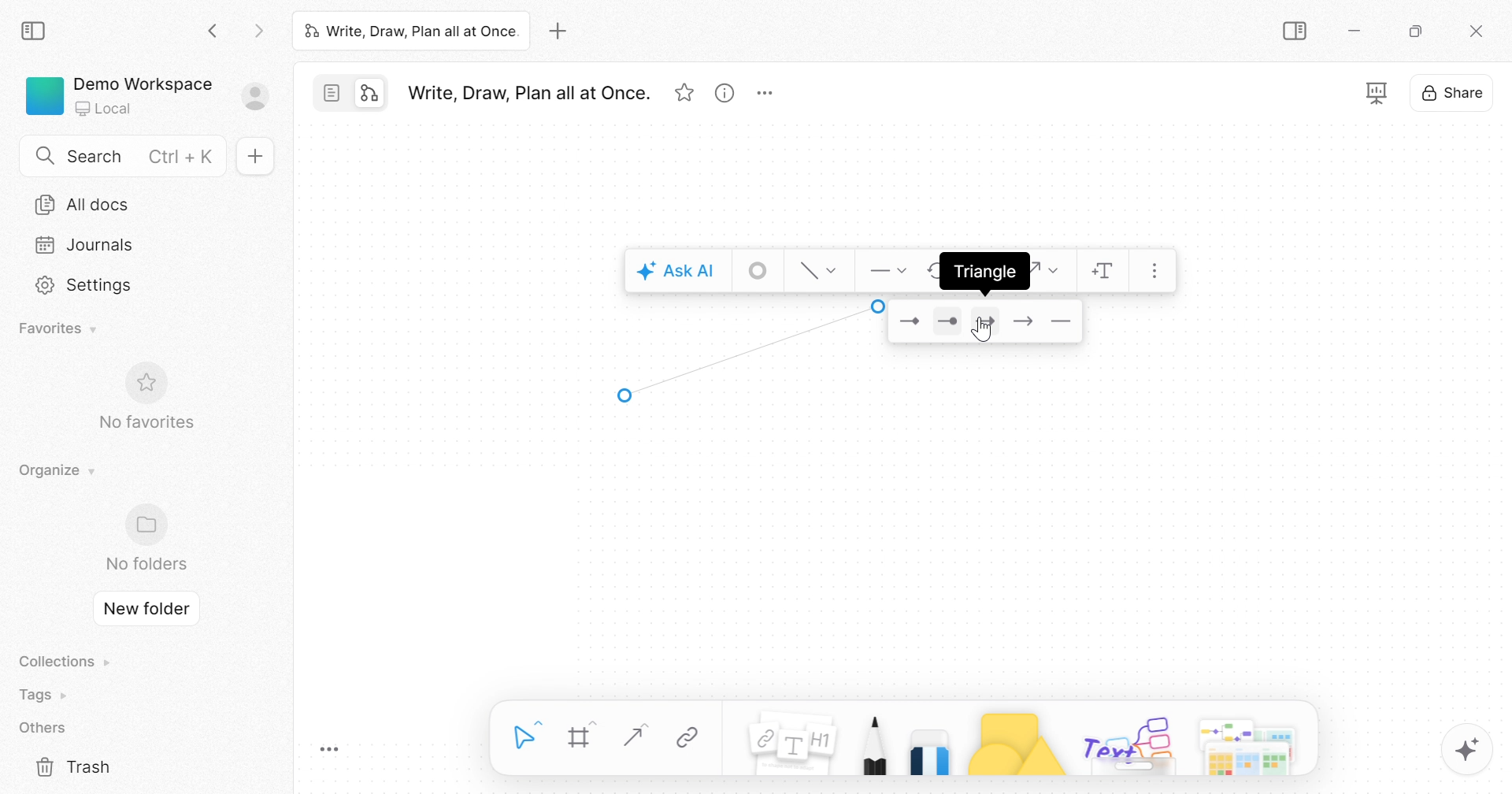  What do you see at coordinates (258, 33) in the screenshot?
I see `Forward` at bounding box center [258, 33].